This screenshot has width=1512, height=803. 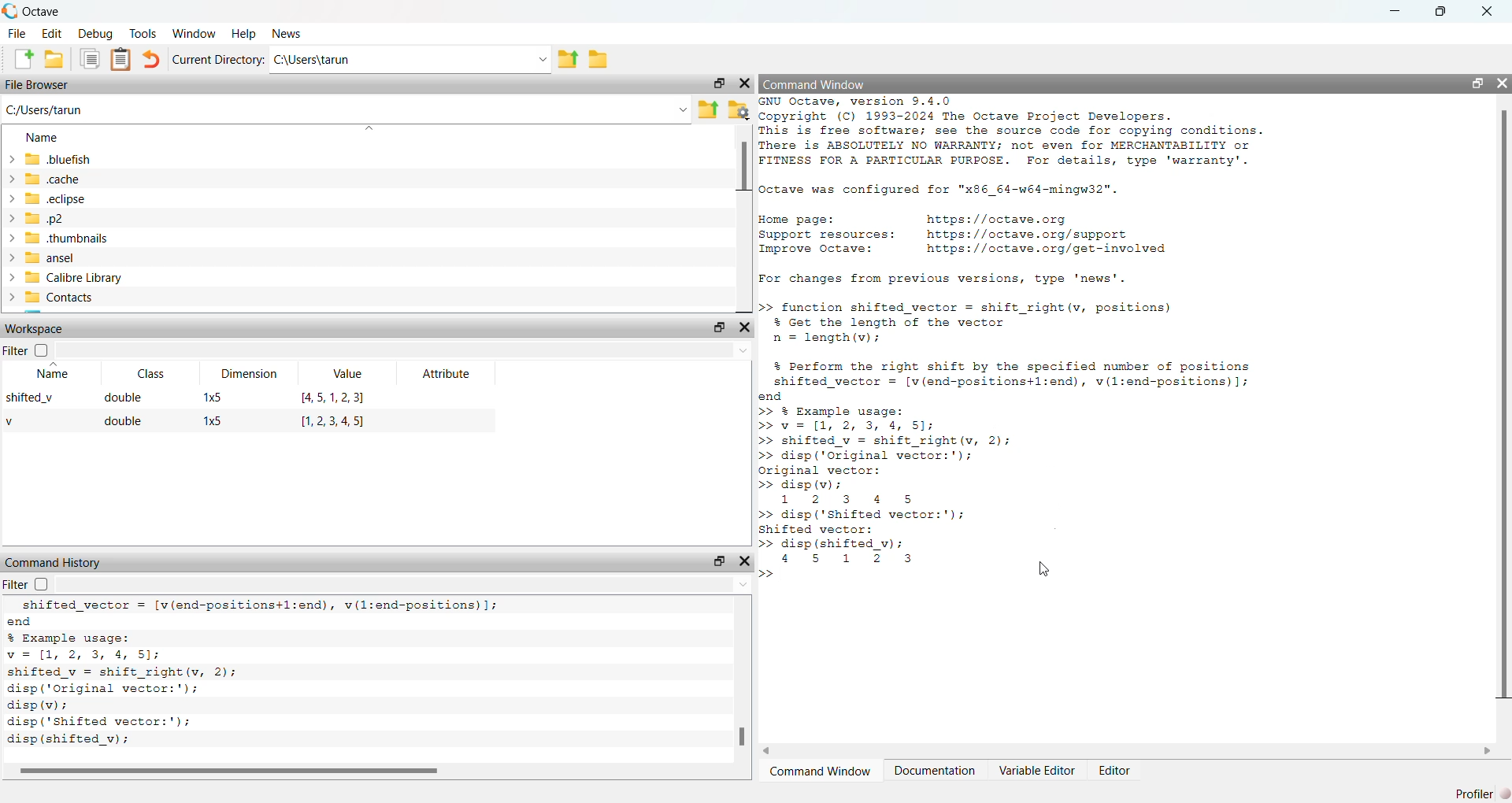 What do you see at coordinates (332, 398) in the screenshot?
I see `[4,5,1,2,3]` at bounding box center [332, 398].